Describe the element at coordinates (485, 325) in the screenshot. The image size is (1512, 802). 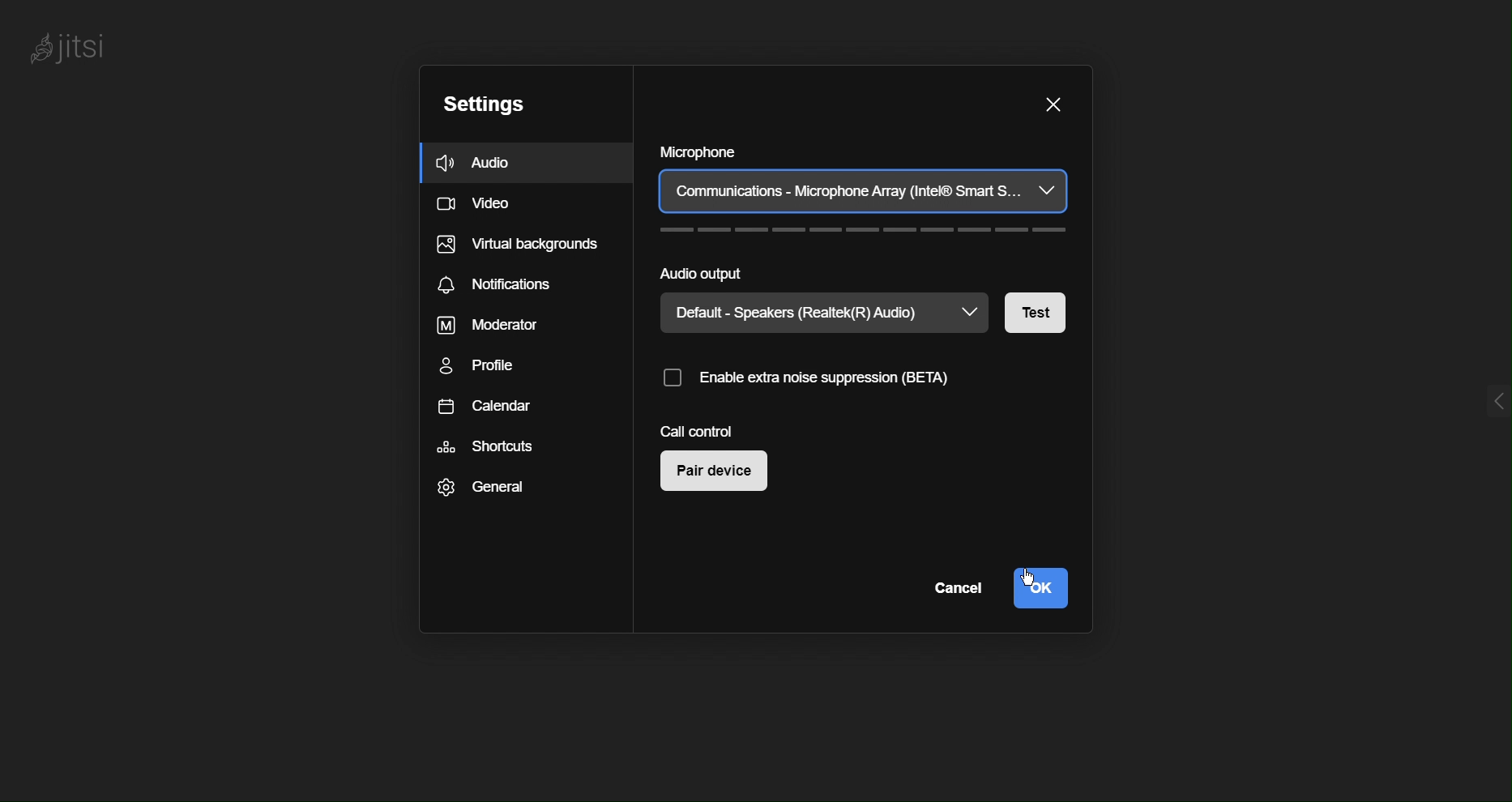
I see `Moderator` at that location.